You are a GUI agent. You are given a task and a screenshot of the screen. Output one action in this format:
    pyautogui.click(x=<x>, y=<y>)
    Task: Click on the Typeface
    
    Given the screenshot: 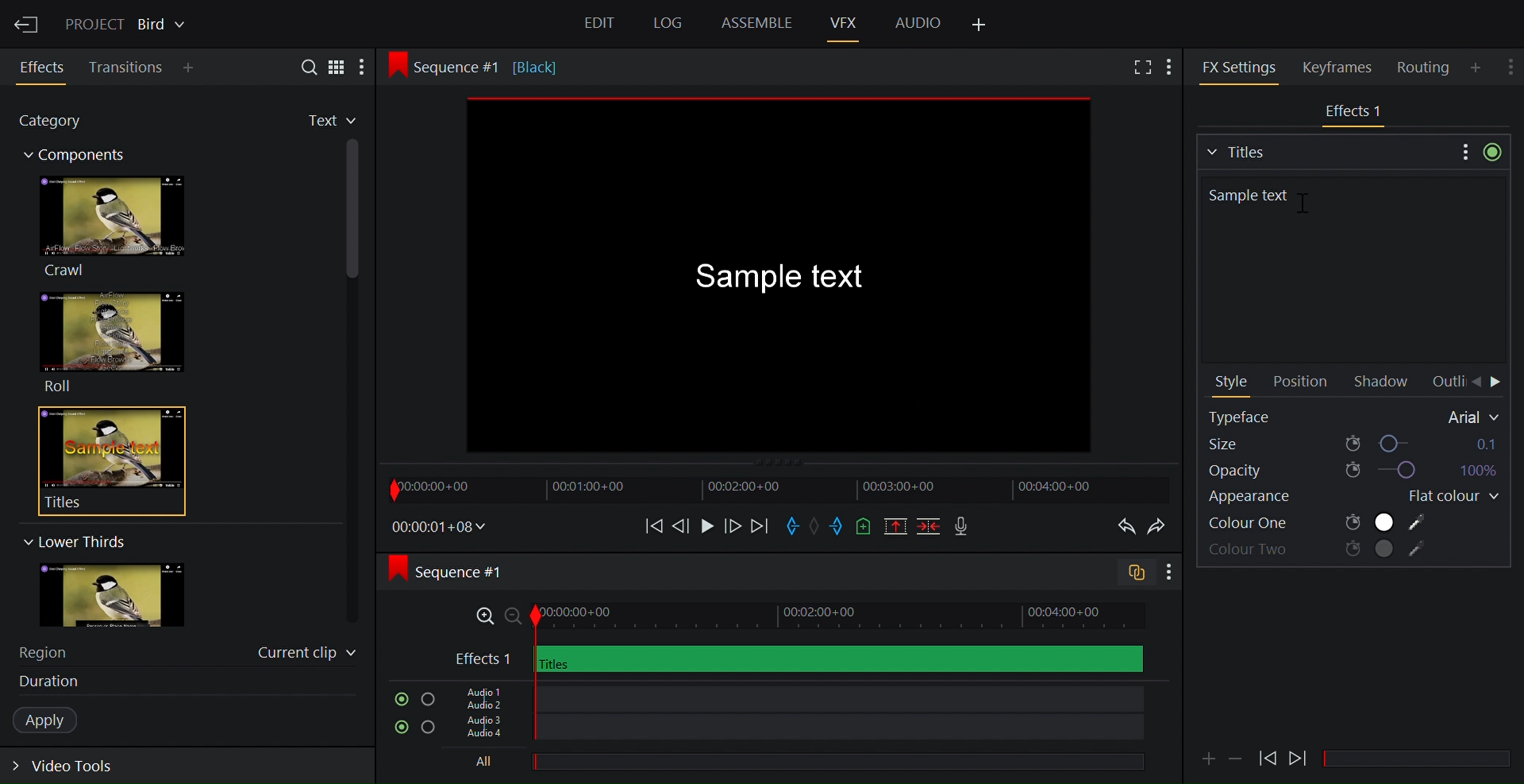 What is the action you would take?
    pyautogui.click(x=1355, y=417)
    